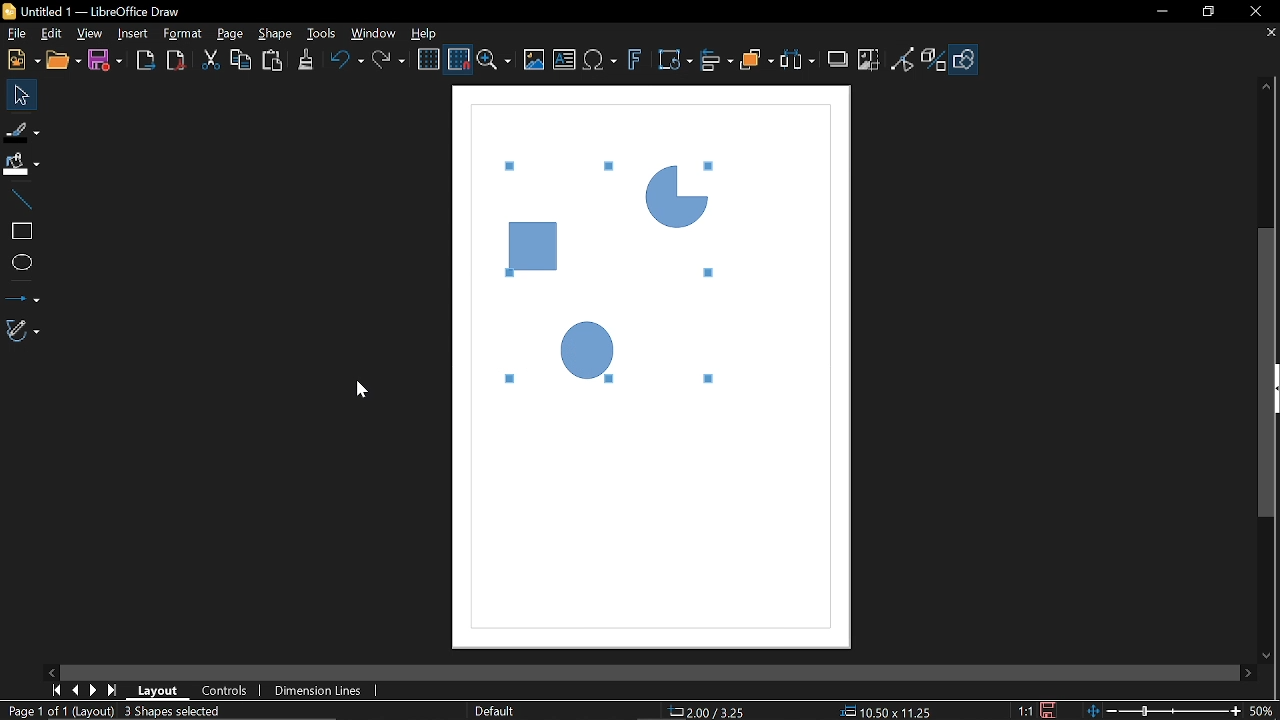 The height and width of the screenshot is (720, 1280). What do you see at coordinates (933, 62) in the screenshot?
I see `Toggle extrusion` at bounding box center [933, 62].